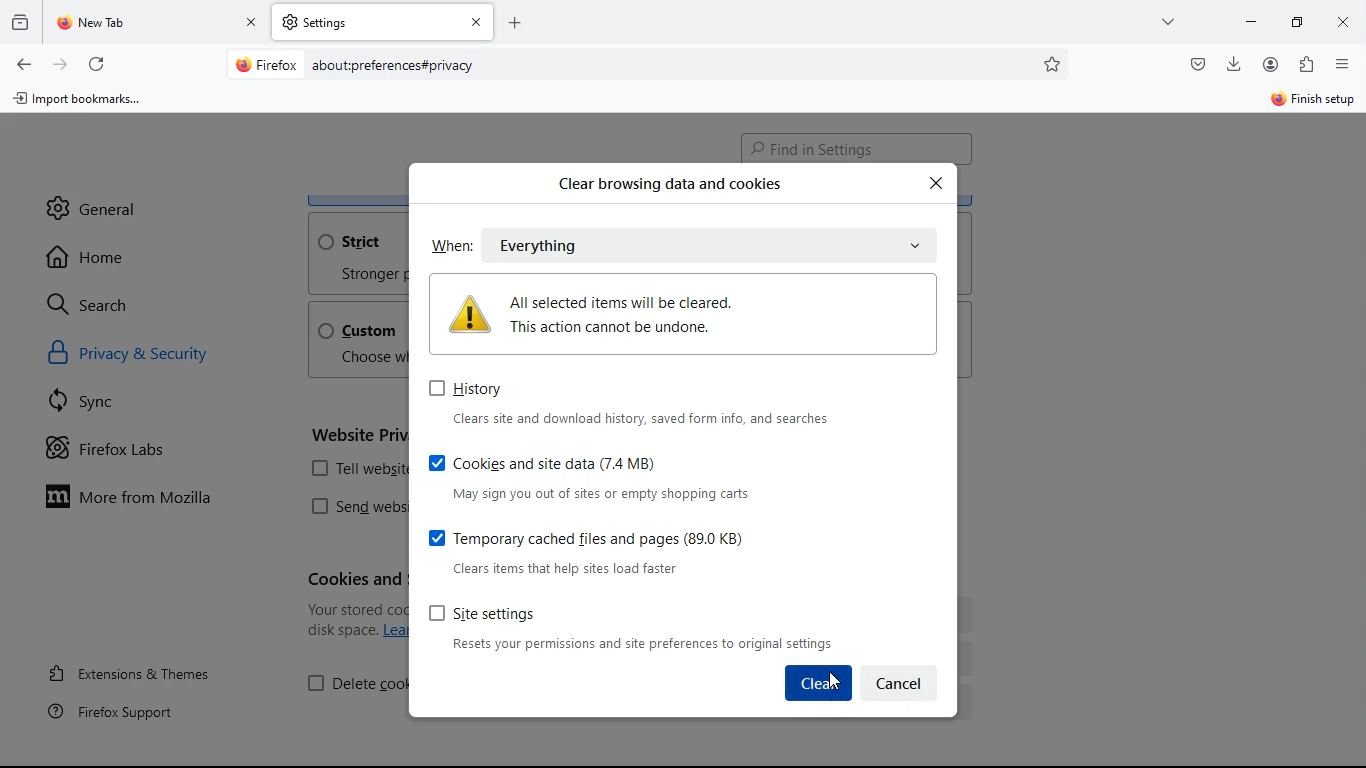 This screenshot has height=768, width=1366. Describe the element at coordinates (23, 21) in the screenshot. I see `historic` at that location.